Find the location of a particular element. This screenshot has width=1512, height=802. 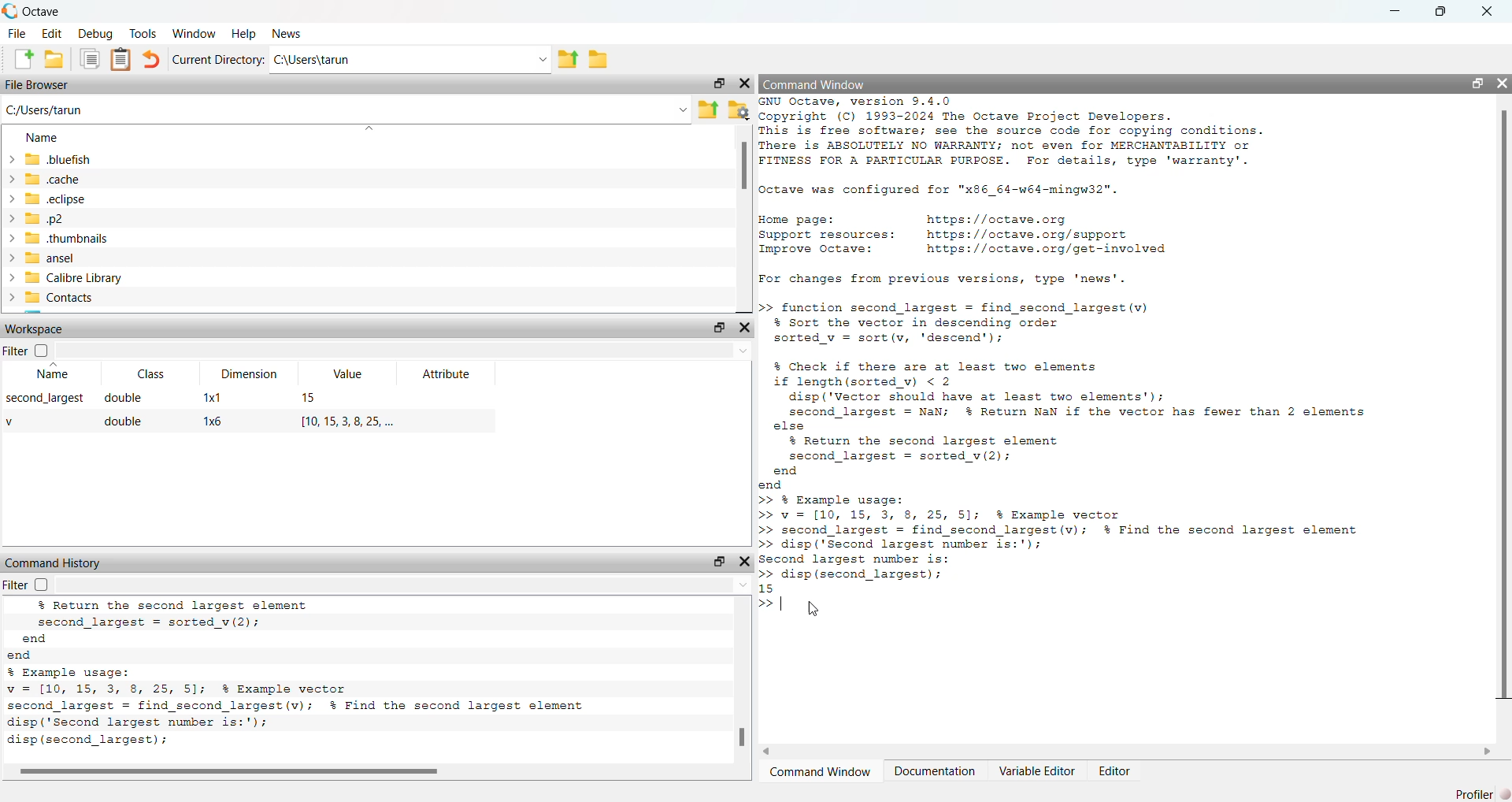

filter is located at coordinates (30, 350).